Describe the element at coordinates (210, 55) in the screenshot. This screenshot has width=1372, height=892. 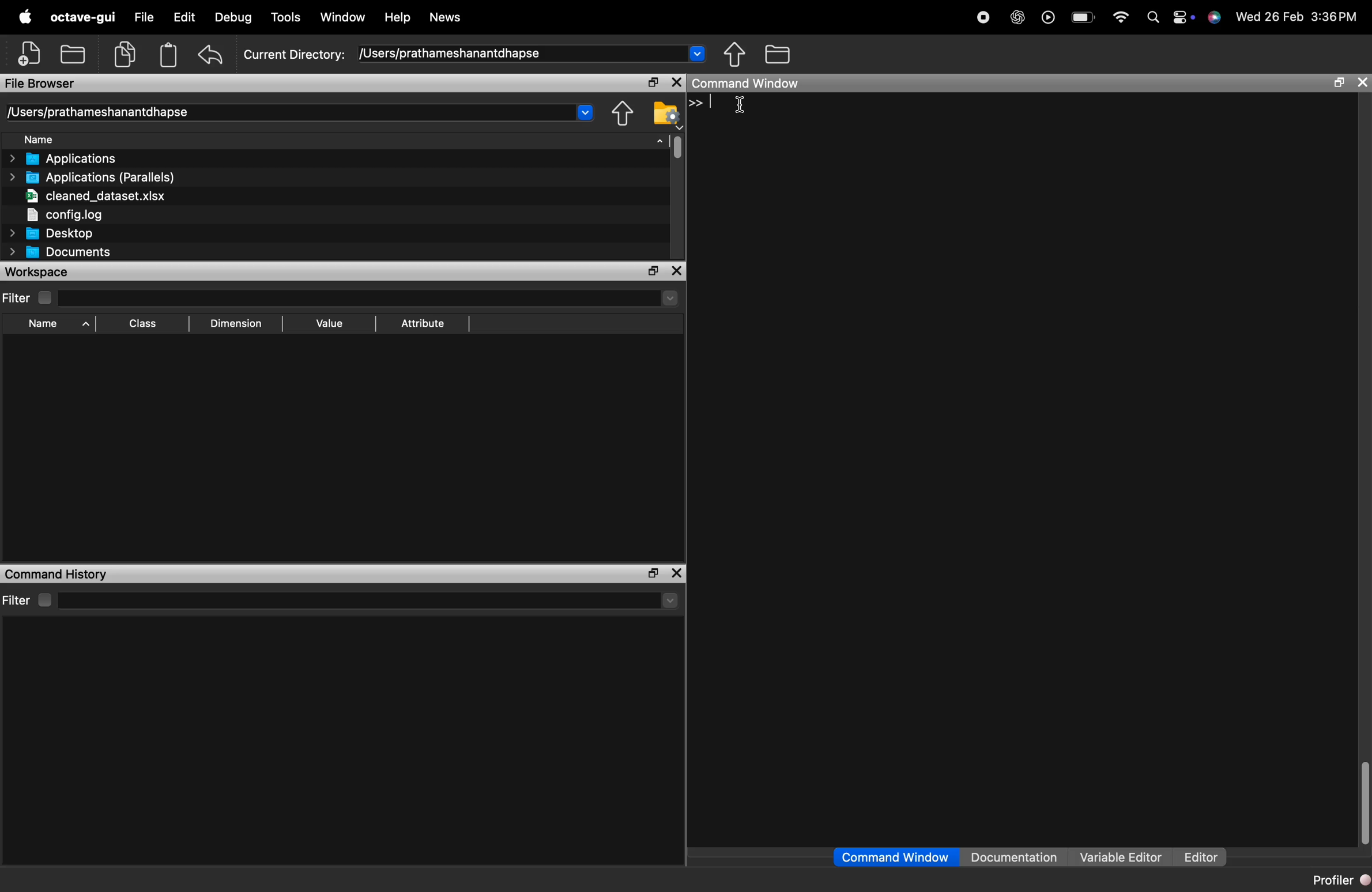
I see `undo` at that location.